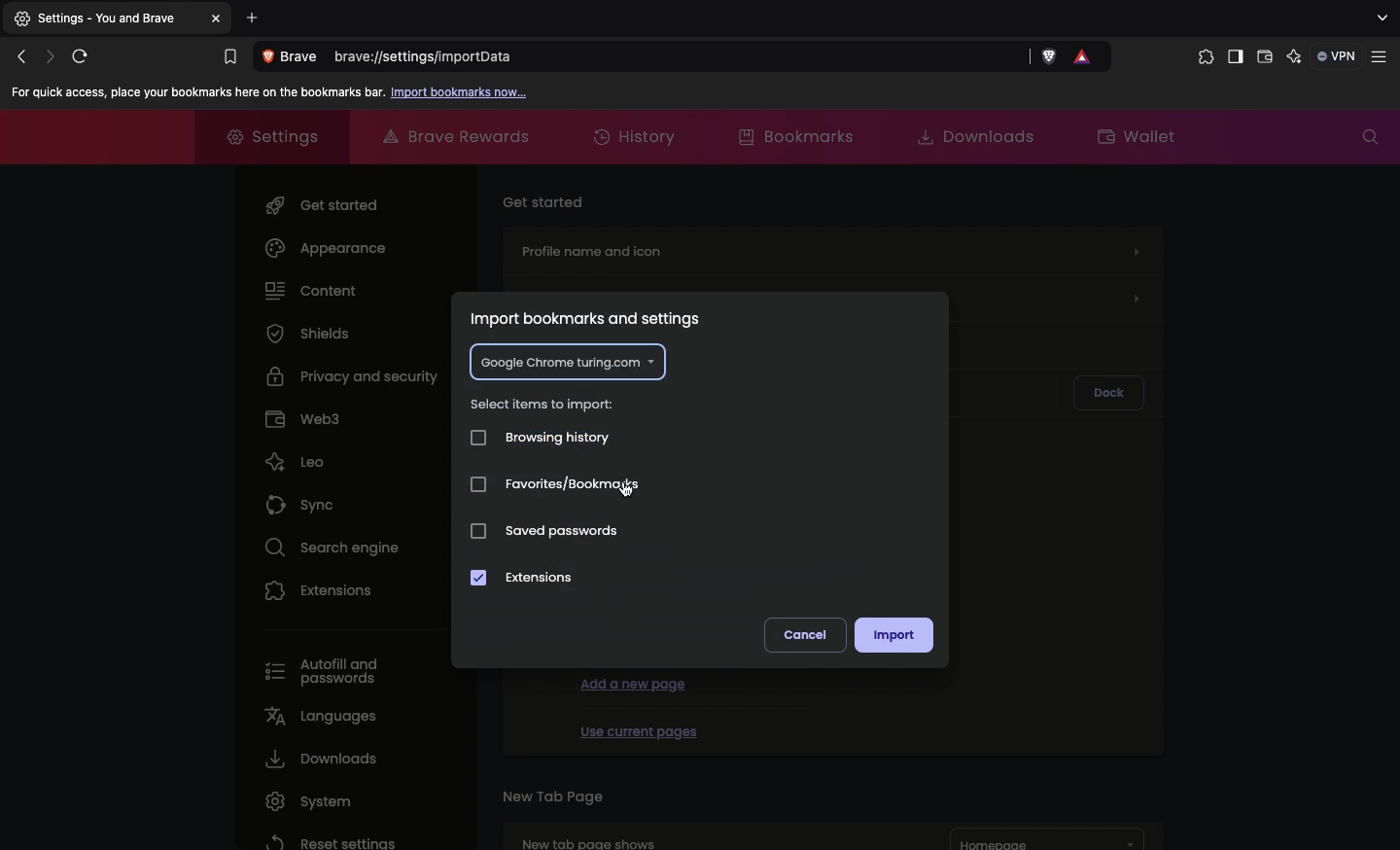 The image size is (1400, 850). Describe the element at coordinates (20, 57) in the screenshot. I see `Click to go back, hold to see history` at that location.